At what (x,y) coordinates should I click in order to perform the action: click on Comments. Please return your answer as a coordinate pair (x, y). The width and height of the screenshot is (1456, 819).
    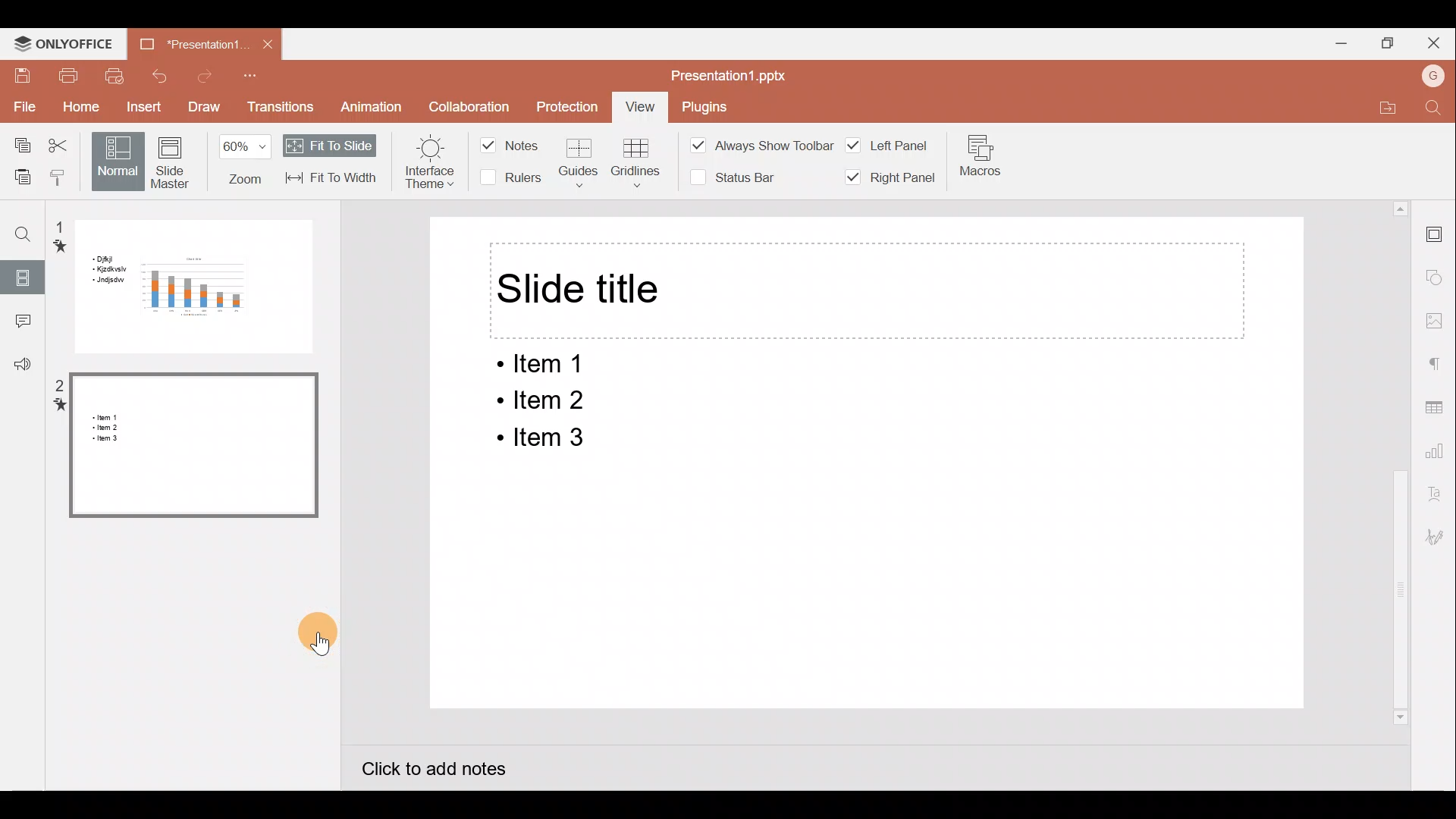
    Looking at the image, I should click on (21, 326).